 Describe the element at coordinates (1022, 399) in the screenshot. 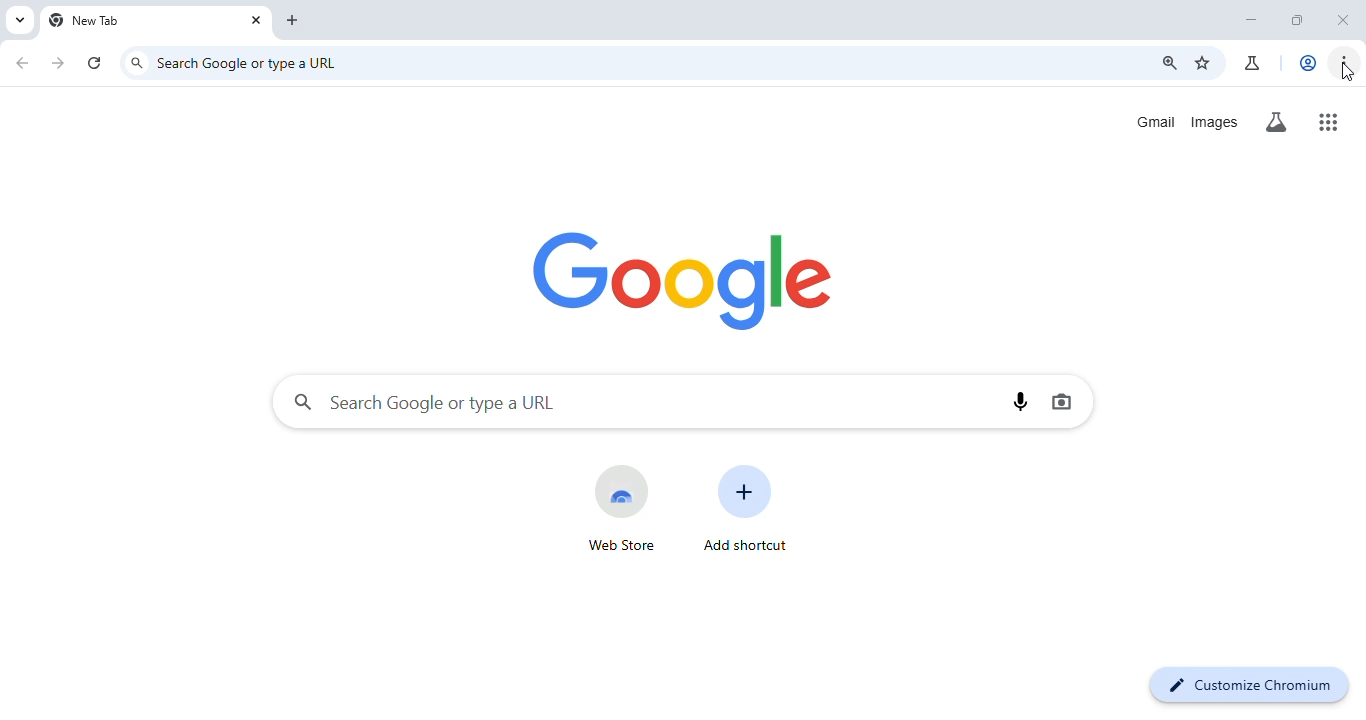

I see `voice search` at that location.